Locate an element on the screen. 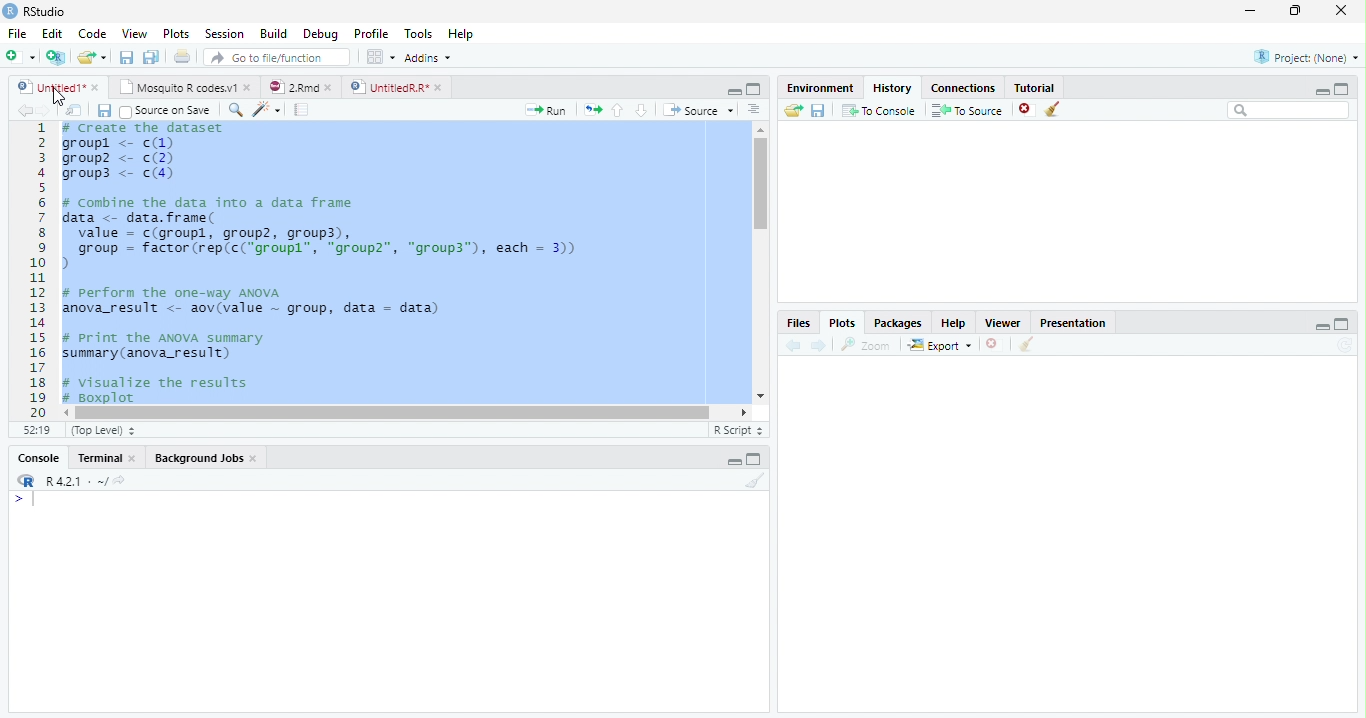 The image size is (1366, 718). Packages is located at coordinates (900, 323).